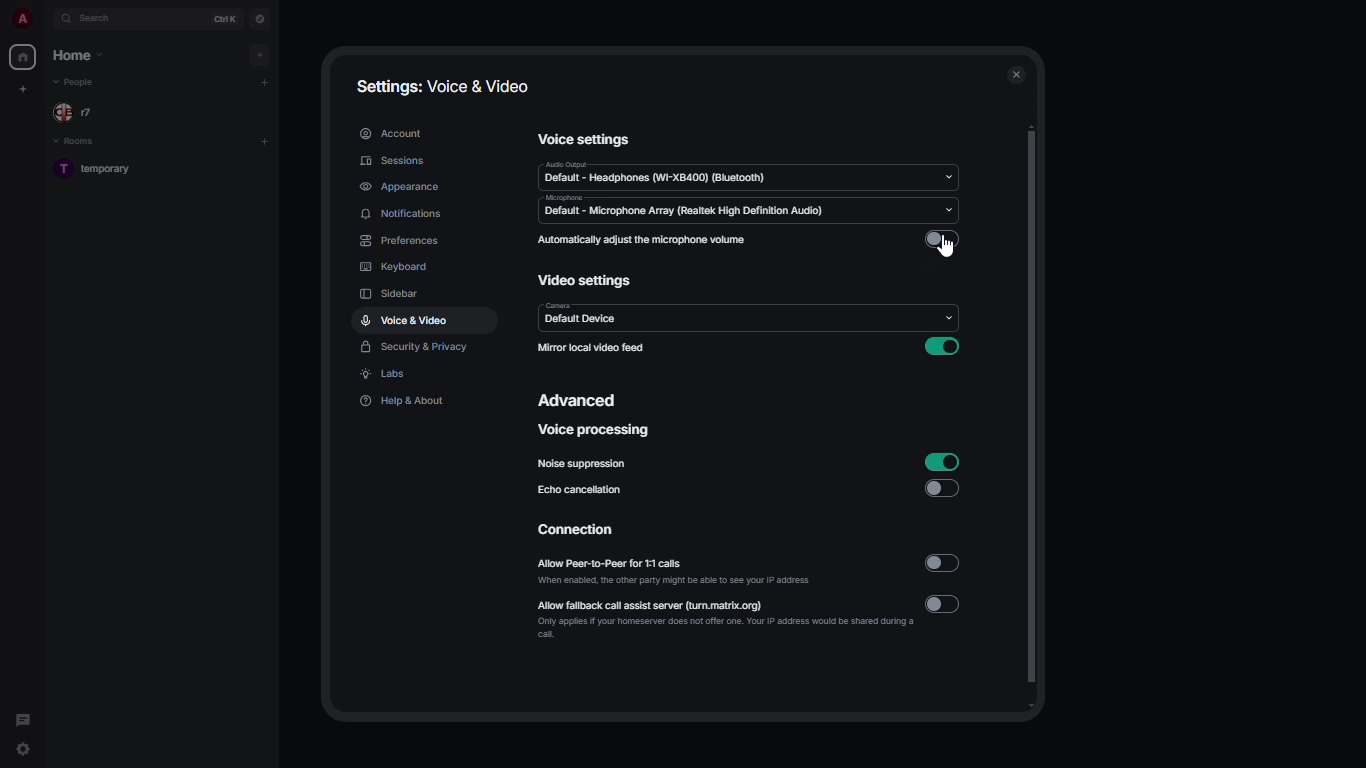 This screenshot has height=768, width=1366. What do you see at coordinates (77, 84) in the screenshot?
I see `people` at bounding box center [77, 84].